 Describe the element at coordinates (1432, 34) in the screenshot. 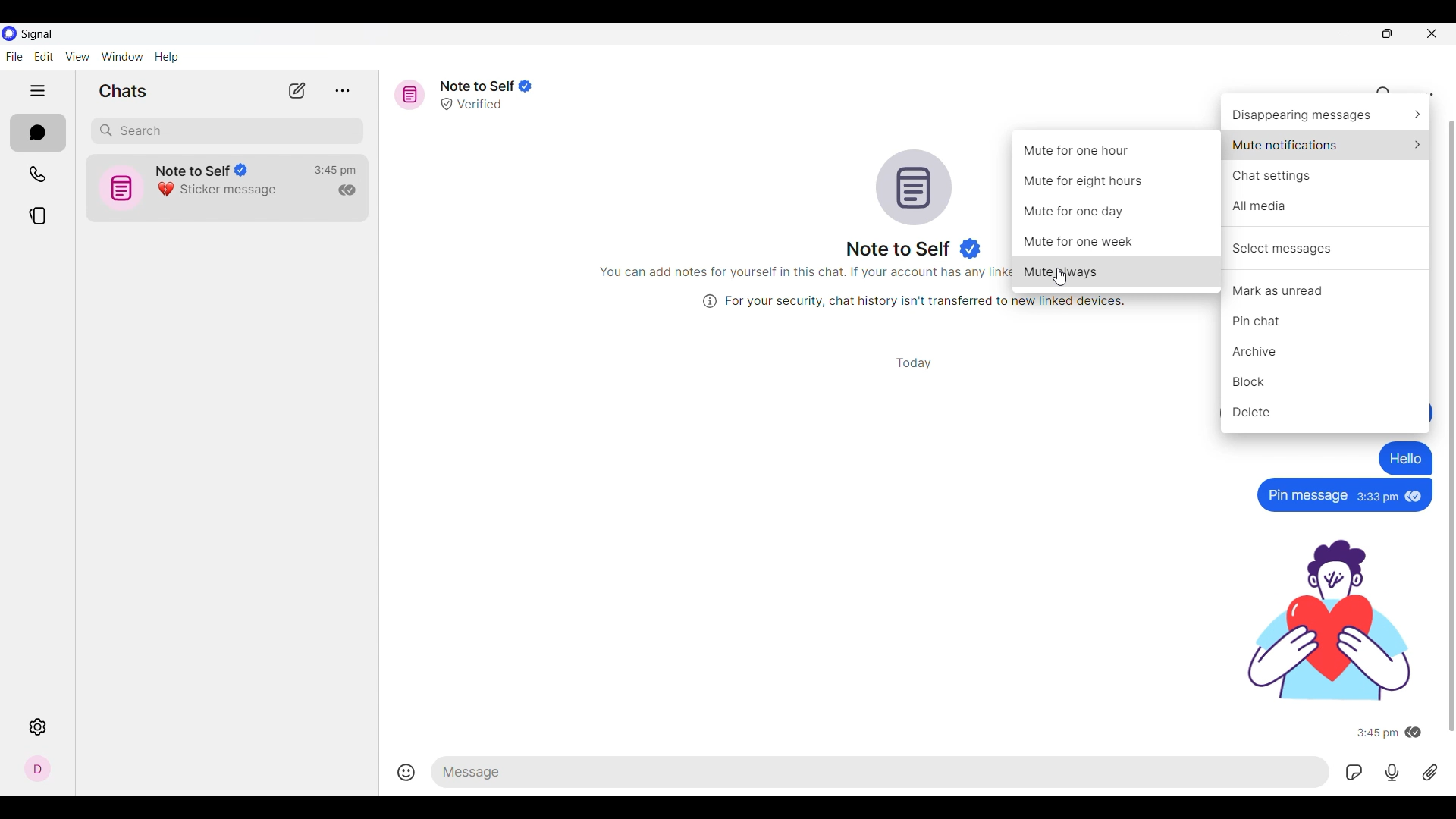

I see `Close interface` at that location.